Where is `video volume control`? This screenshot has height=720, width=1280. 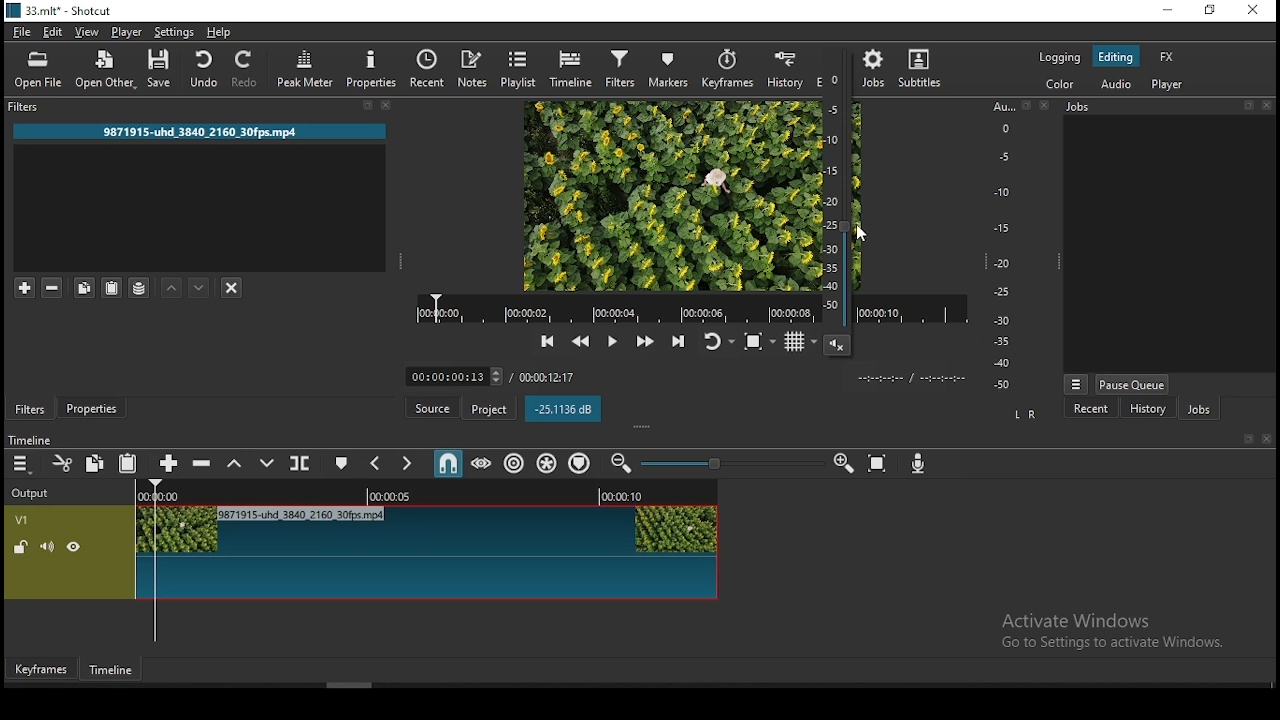
video volume control is located at coordinates (835, 209).